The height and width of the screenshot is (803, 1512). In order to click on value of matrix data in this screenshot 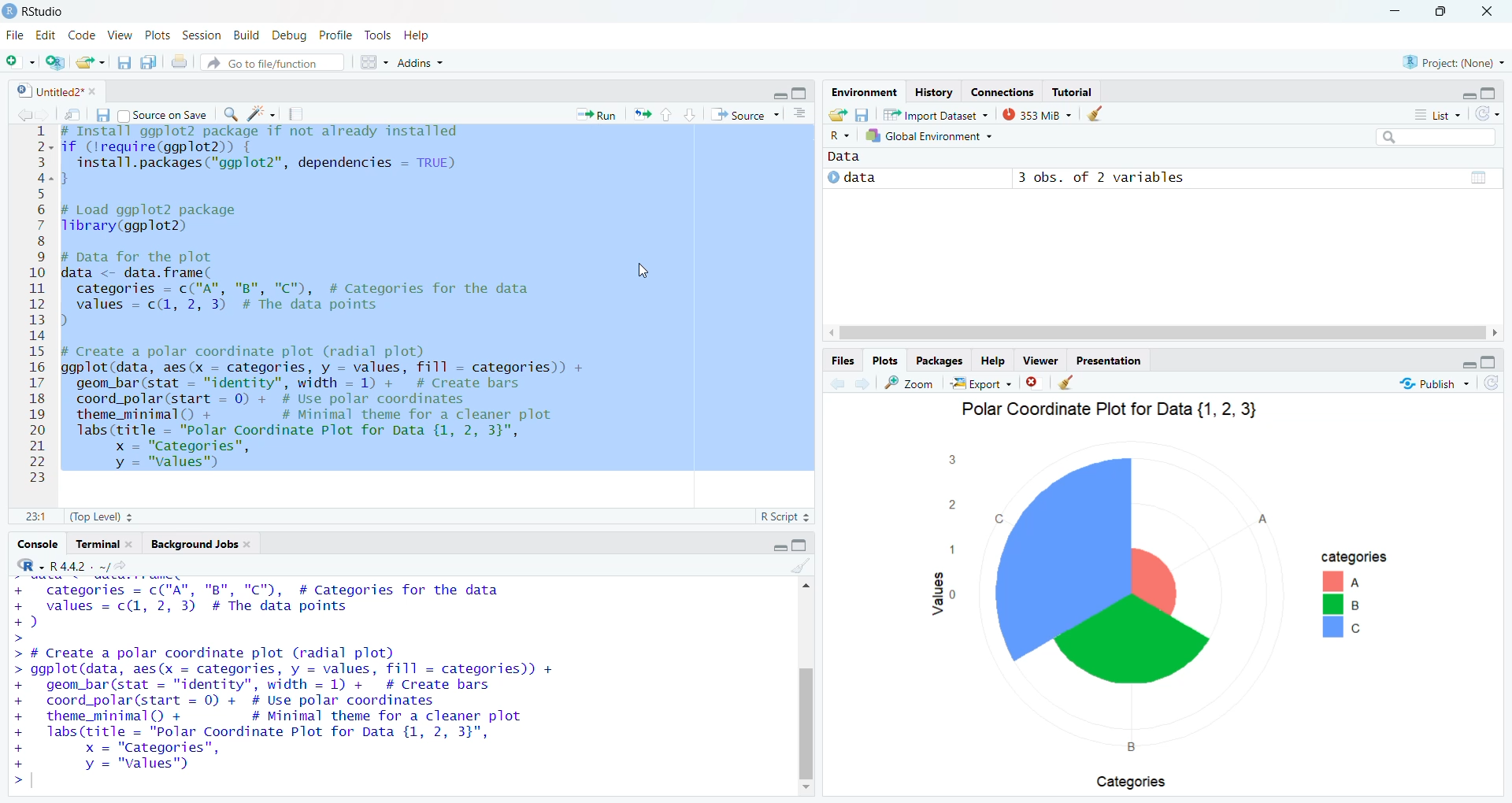, I will do `click(1477, 181)`.